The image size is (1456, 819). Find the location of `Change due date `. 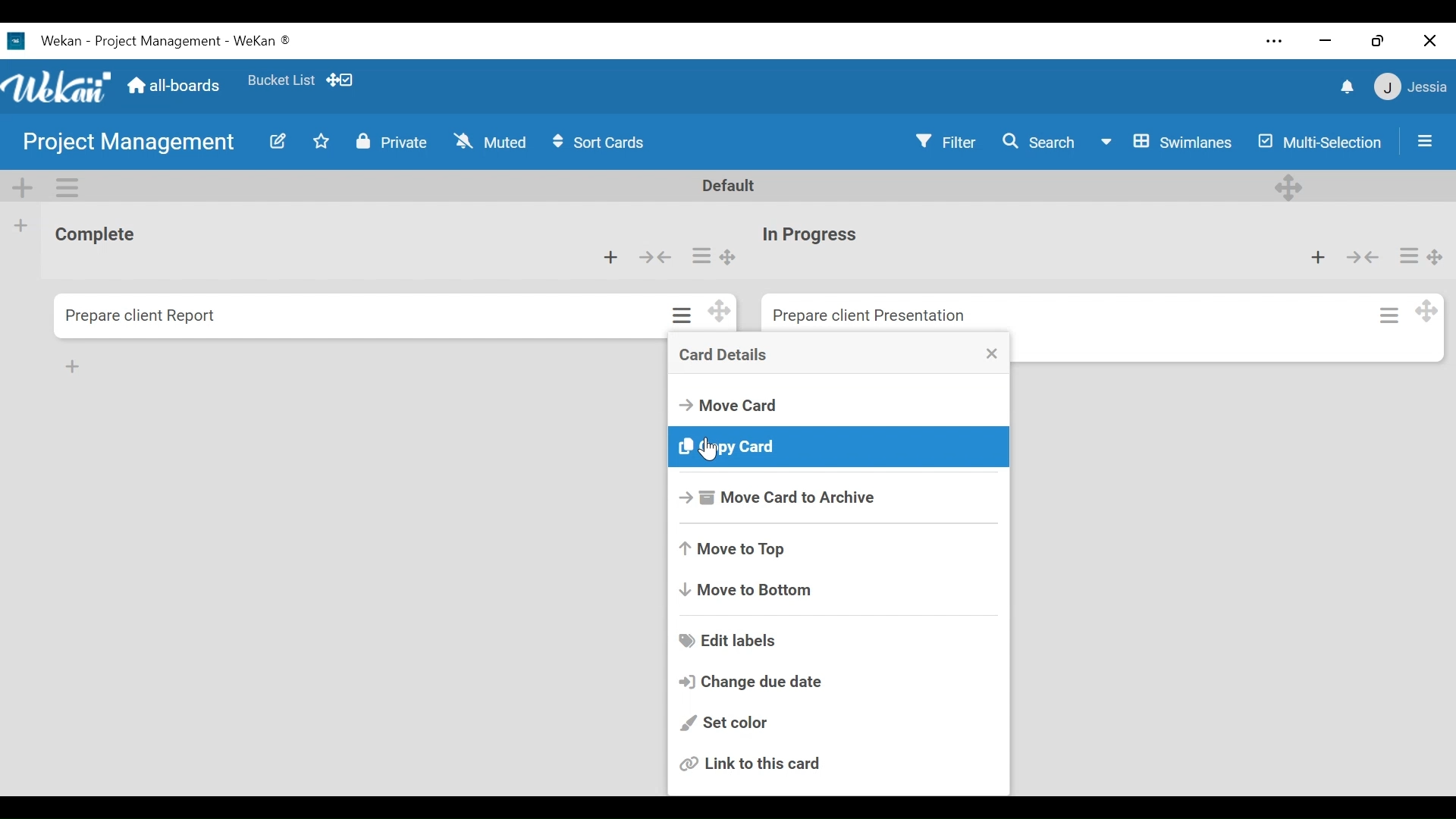

Change due date  is located at coordinates (761, 682).